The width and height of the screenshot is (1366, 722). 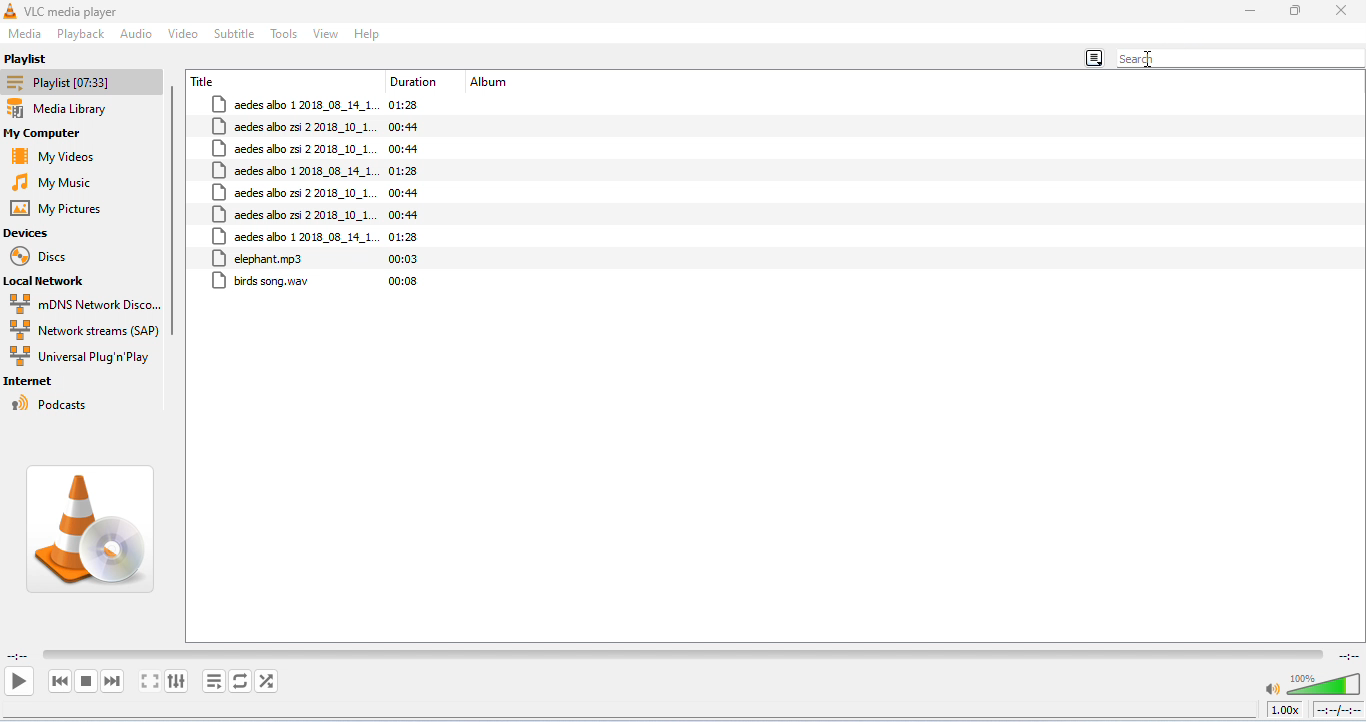 What do you see at coordinates (59, 156) in the screenshot?
I see `my videos` at bounding box center [59, 156].